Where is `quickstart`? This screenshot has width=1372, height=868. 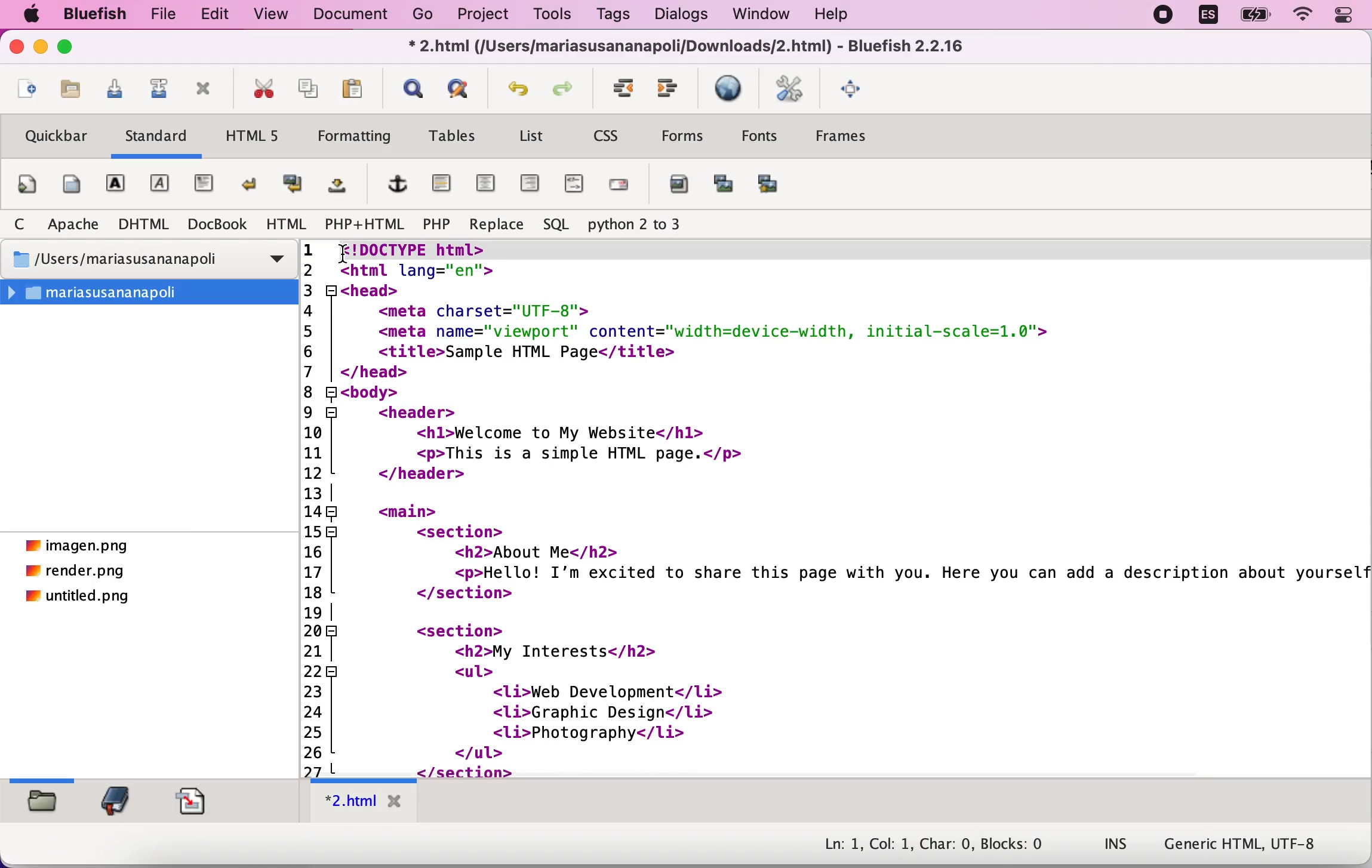 quickstart is located at coordinates (27, 184).